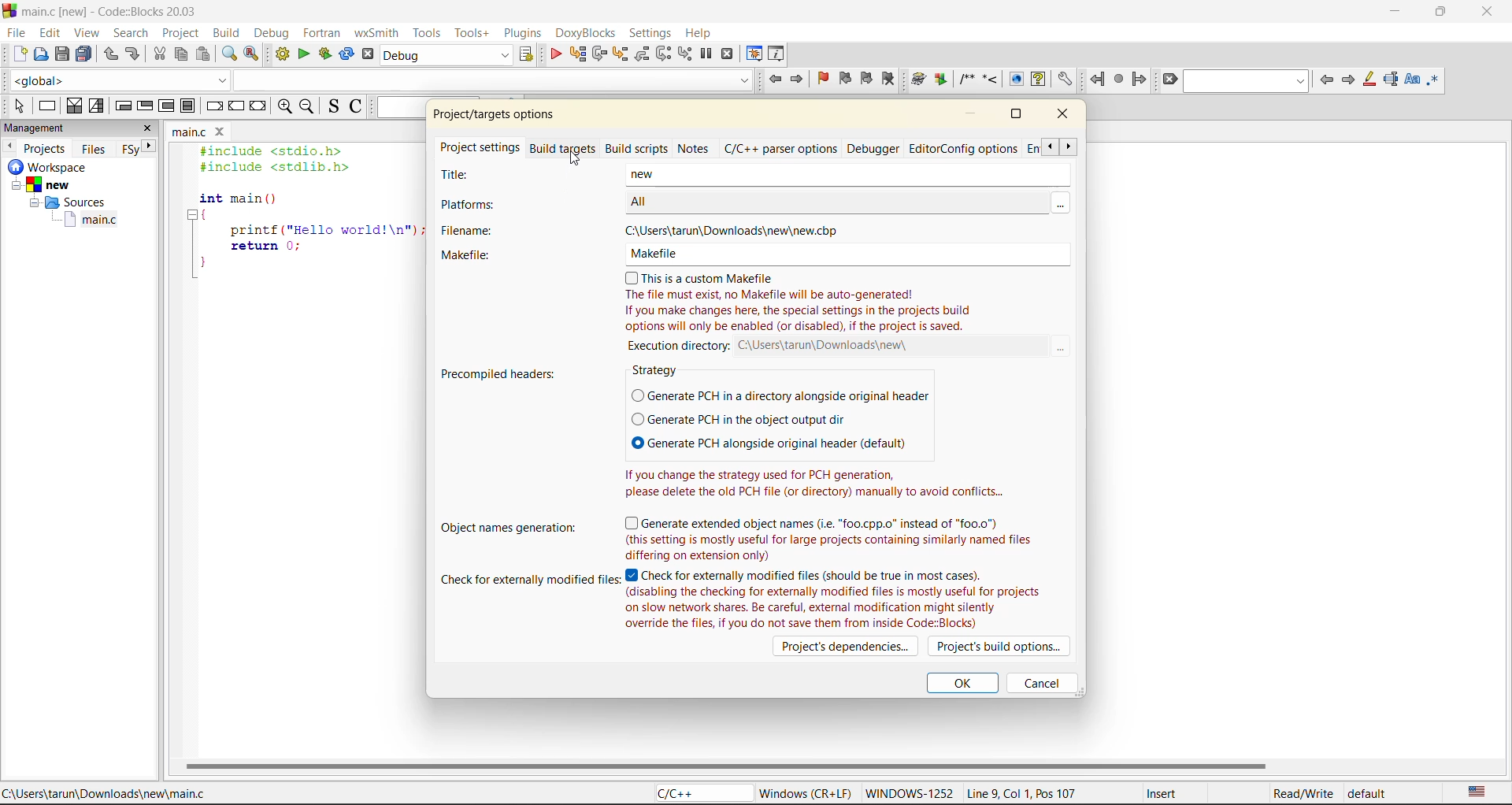 This screenshot has height=805, width=1512. Describe the element at coordinates (485, 228) in the screenshot. I see `filename` at that location.